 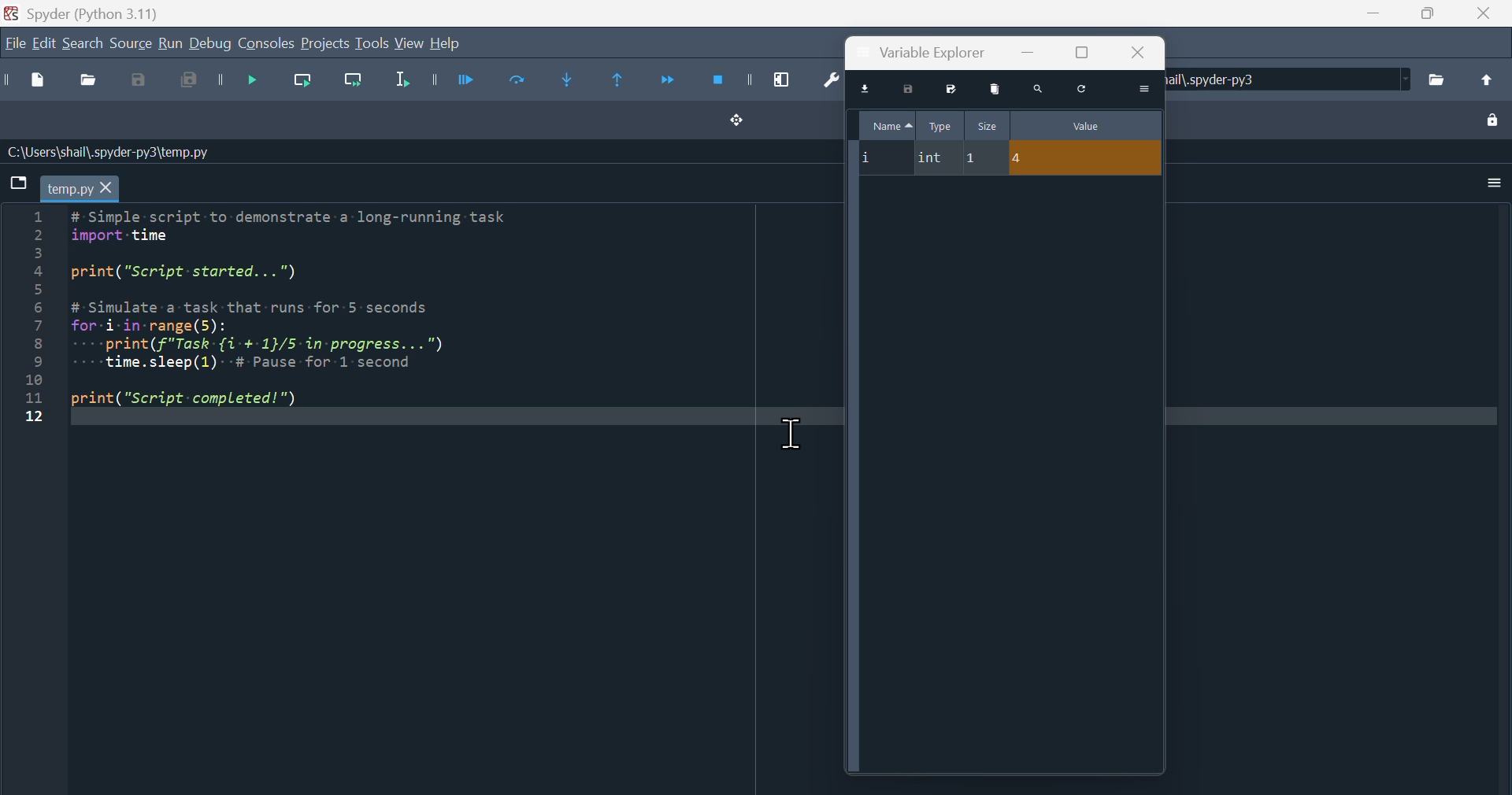 I want to click on file, so click(x=14, y=43).